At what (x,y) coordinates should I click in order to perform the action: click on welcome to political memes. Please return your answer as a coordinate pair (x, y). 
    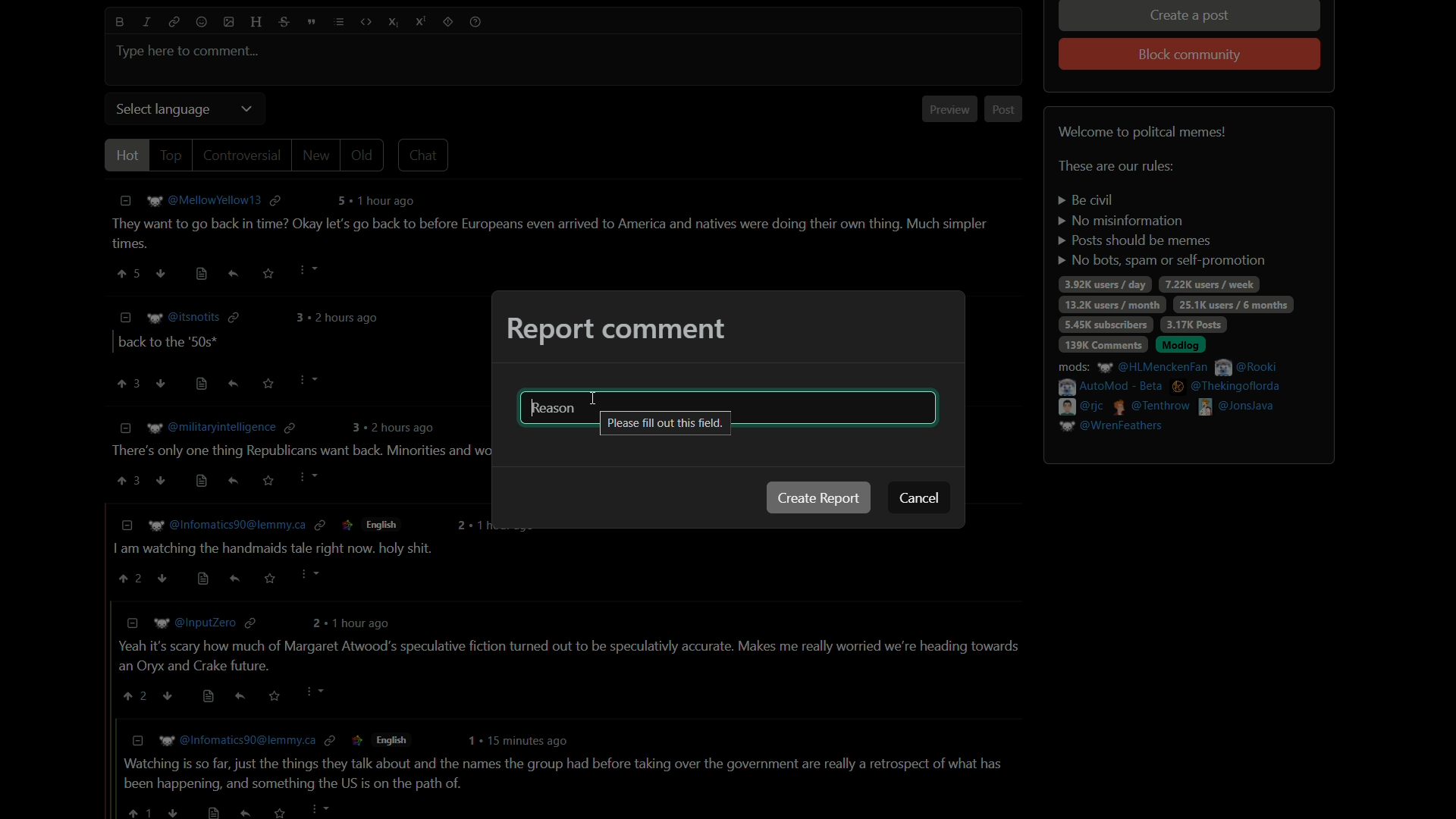
    Looking at the image, I should click on (1145, 132).